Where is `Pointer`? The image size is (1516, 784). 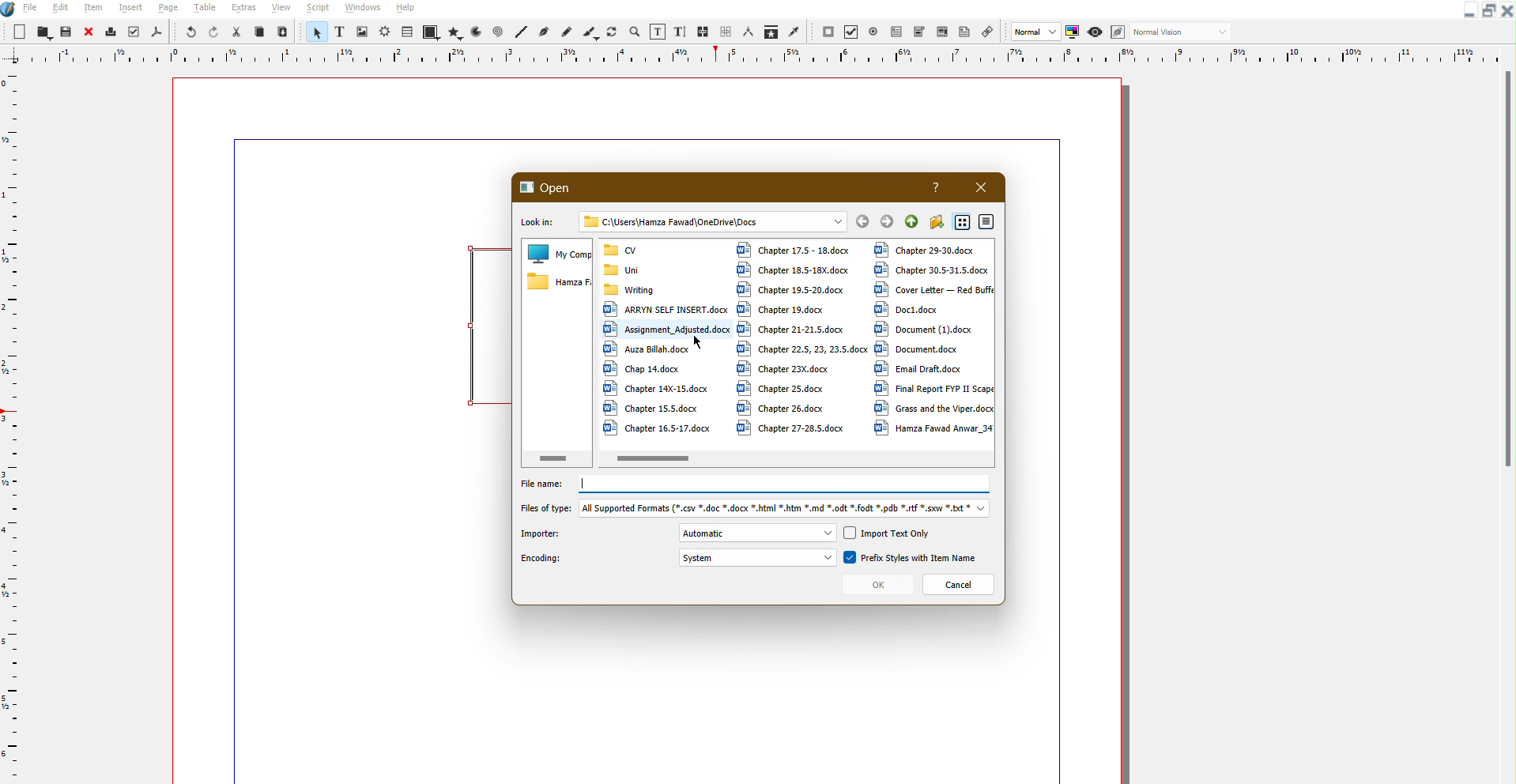
Pointer is located at coordinates (315, 31).